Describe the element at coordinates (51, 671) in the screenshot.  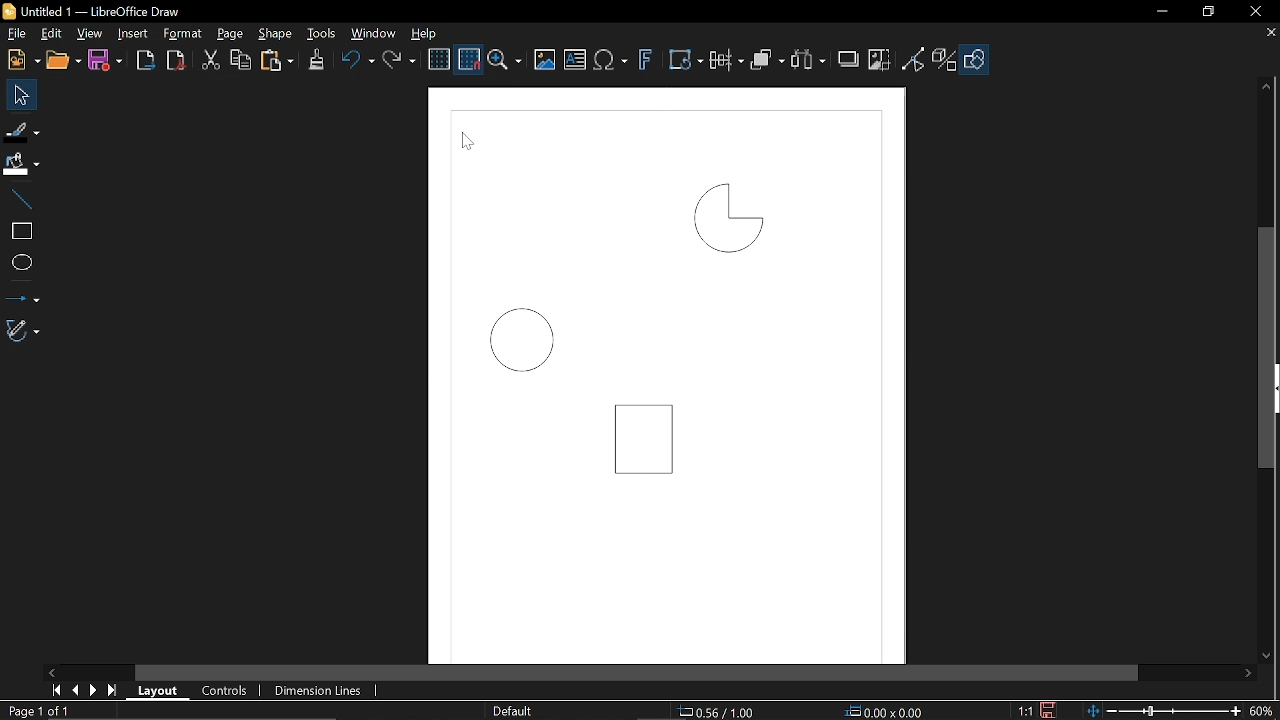
I see `Move left` at that location.